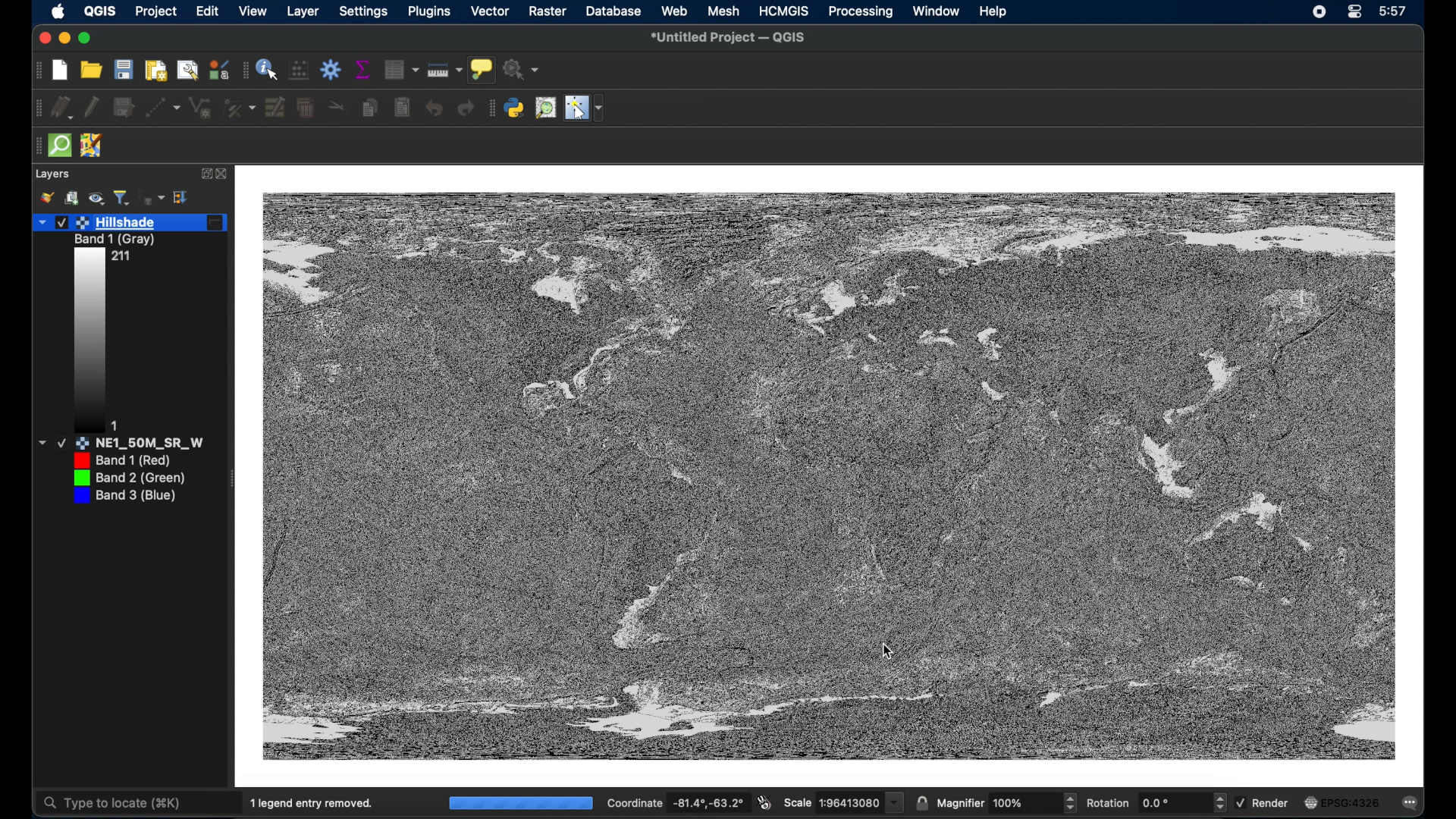 The width and height of the screenshot is (1456, 819). What do you see at coordinates (59, 11) in the screenshot?
I see `apple icon` at bounding box center [59, 11].